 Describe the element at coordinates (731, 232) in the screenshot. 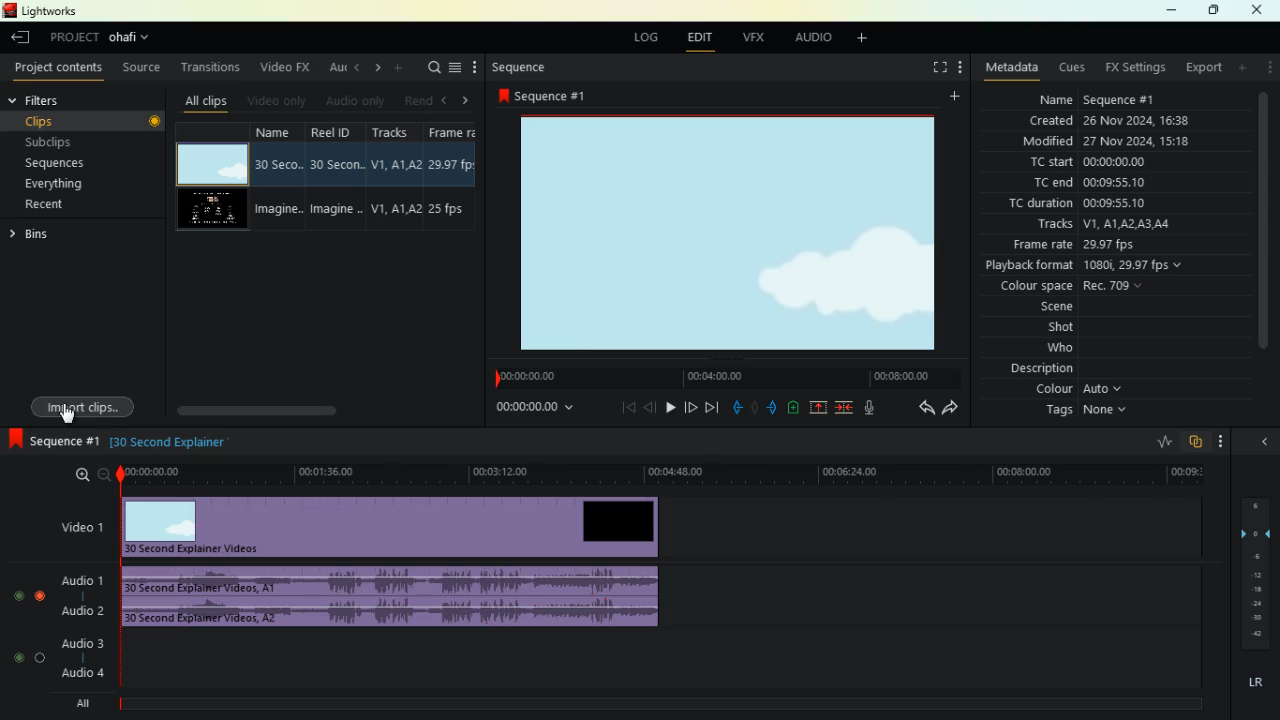

I see `image` at that location.